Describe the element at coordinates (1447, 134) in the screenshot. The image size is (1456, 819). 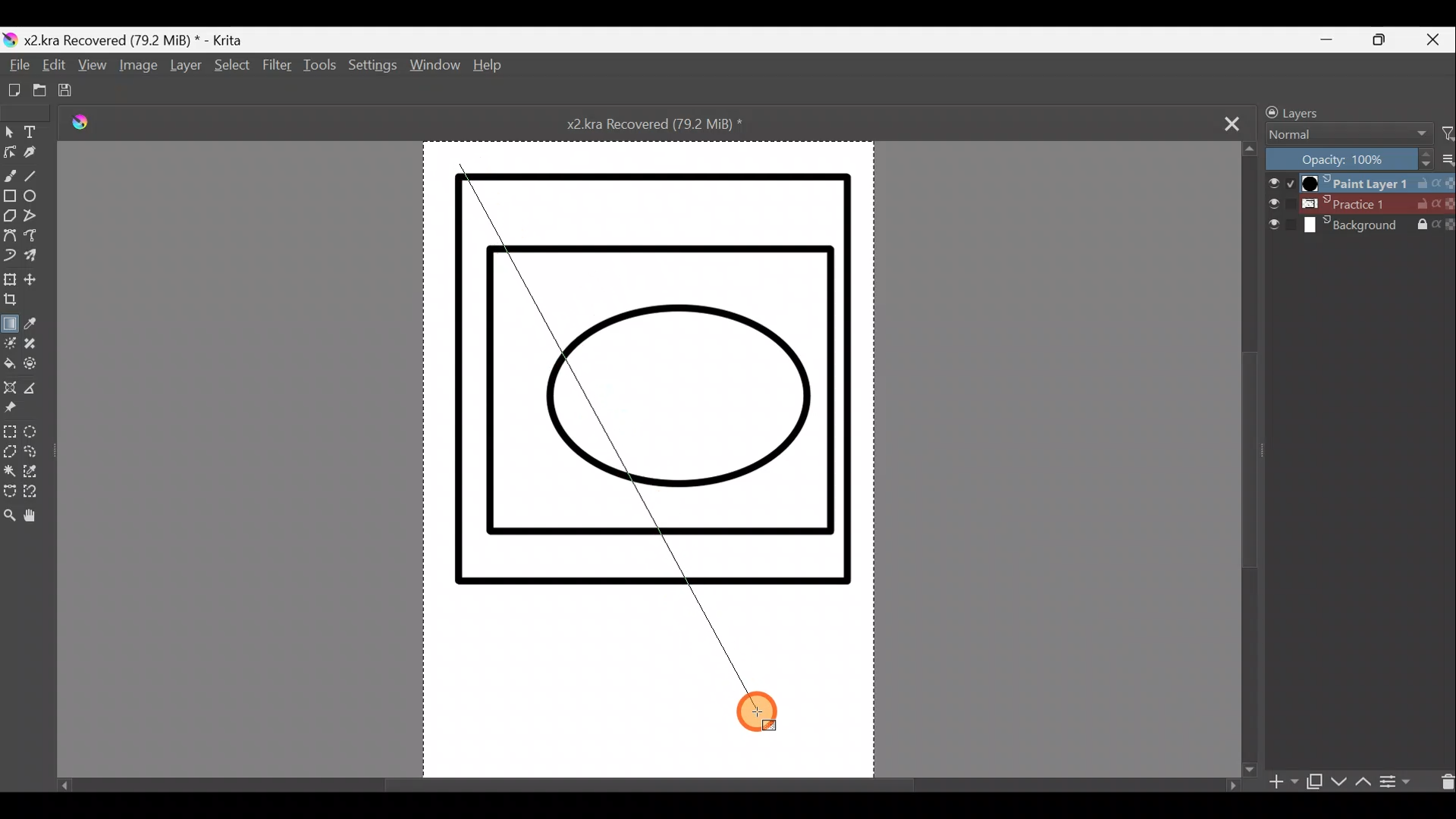
I see `Filter` at that location.